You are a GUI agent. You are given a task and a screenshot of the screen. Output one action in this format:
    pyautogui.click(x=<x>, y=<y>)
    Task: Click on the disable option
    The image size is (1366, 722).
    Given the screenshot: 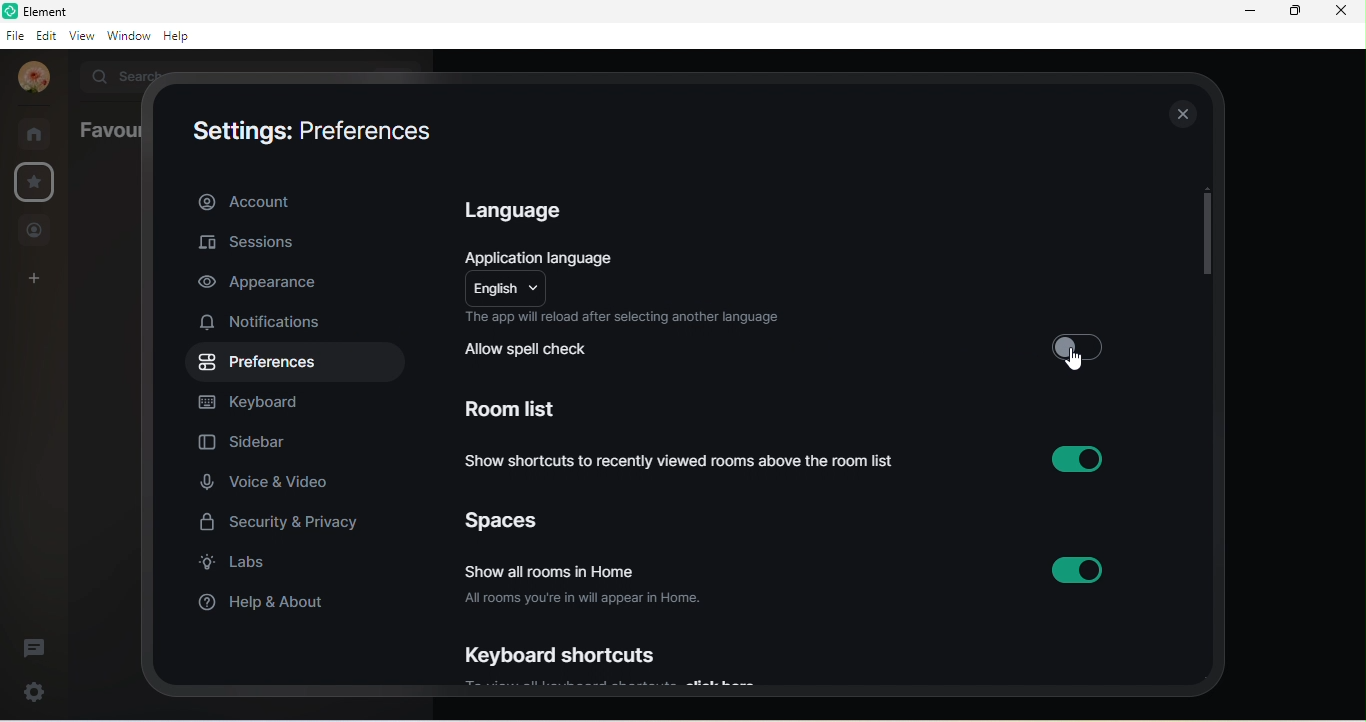 What is the action you would take?
    pyautogui.click(x=1074, y=351)
    